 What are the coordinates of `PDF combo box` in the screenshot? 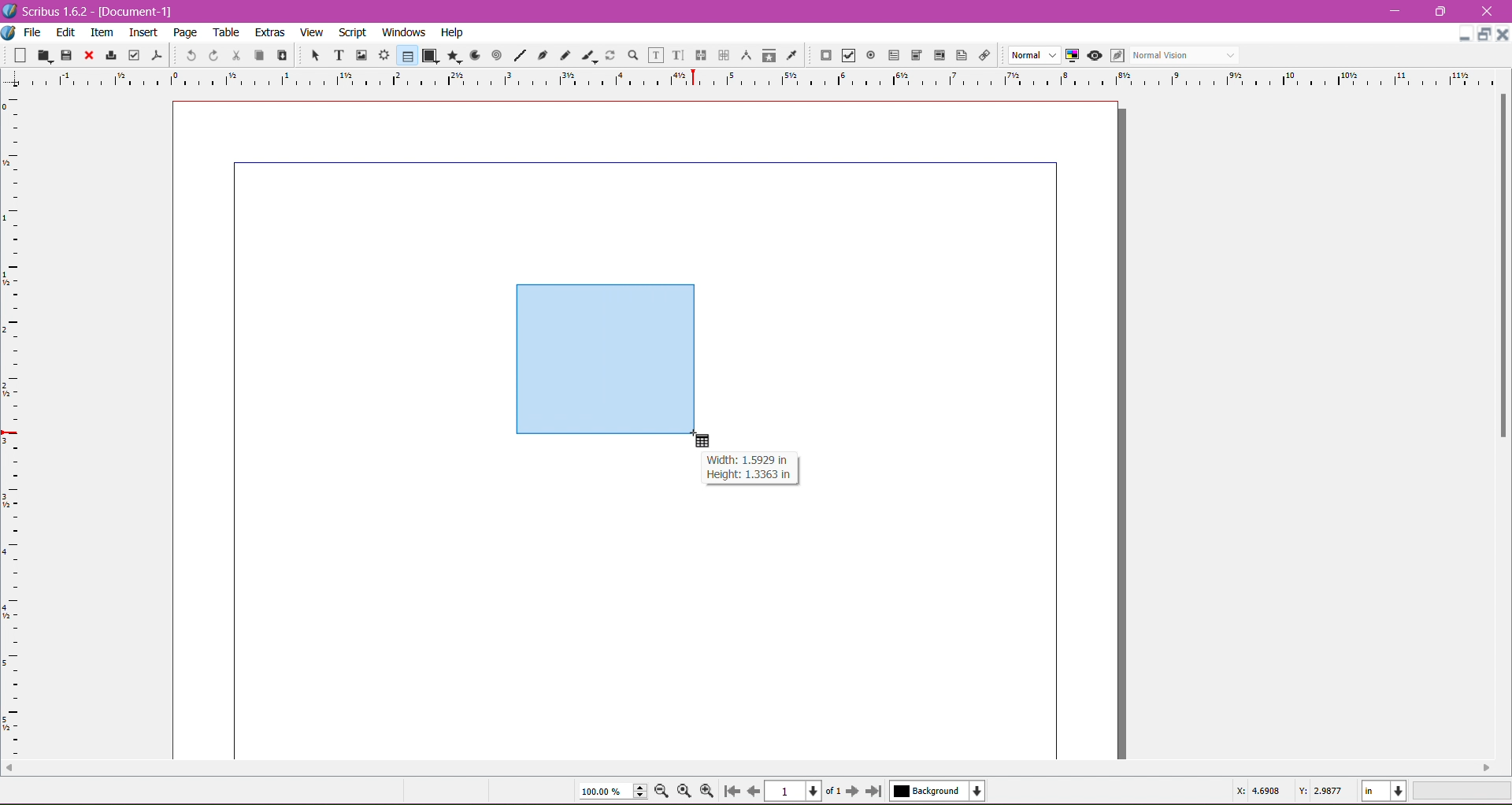 It's located at (913, 56).